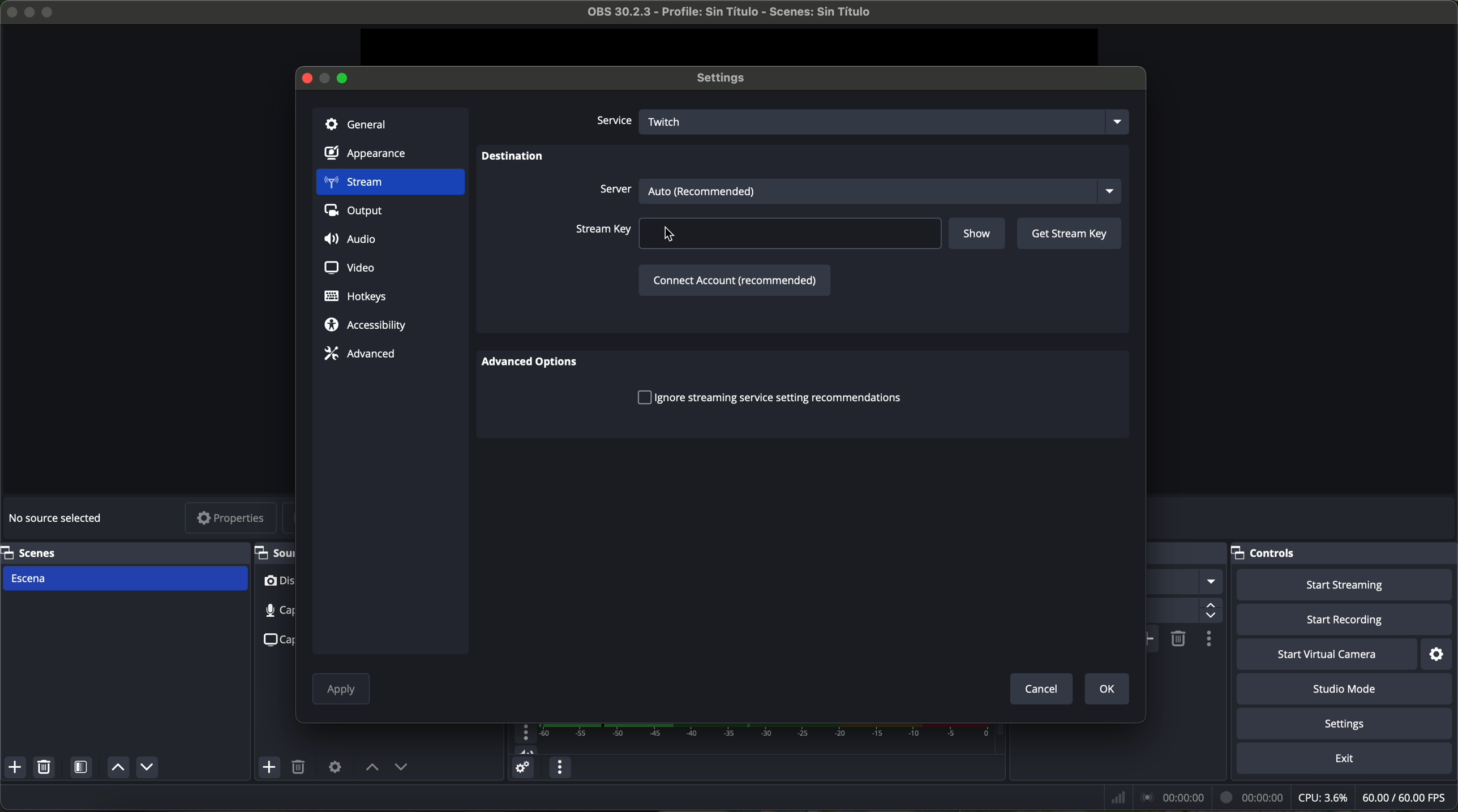 This screenshot has width=1458, height=812. What do you see at coordinates (857, 189) in the screenshot?
I see `server options` at bounding box center [857, 189].